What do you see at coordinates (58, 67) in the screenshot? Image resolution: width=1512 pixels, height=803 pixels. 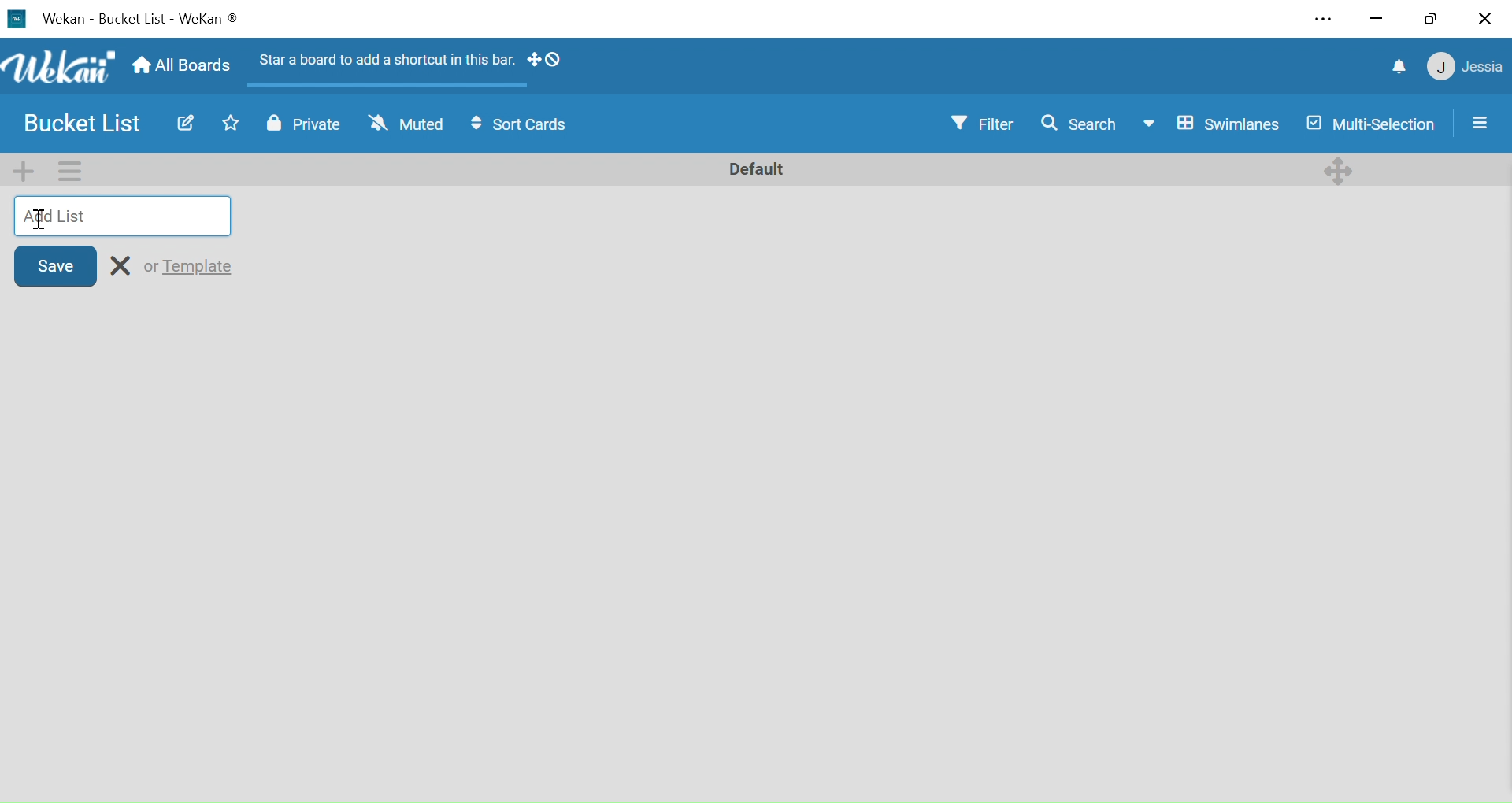 I see `Wekan` at bounding box center [58, 67].